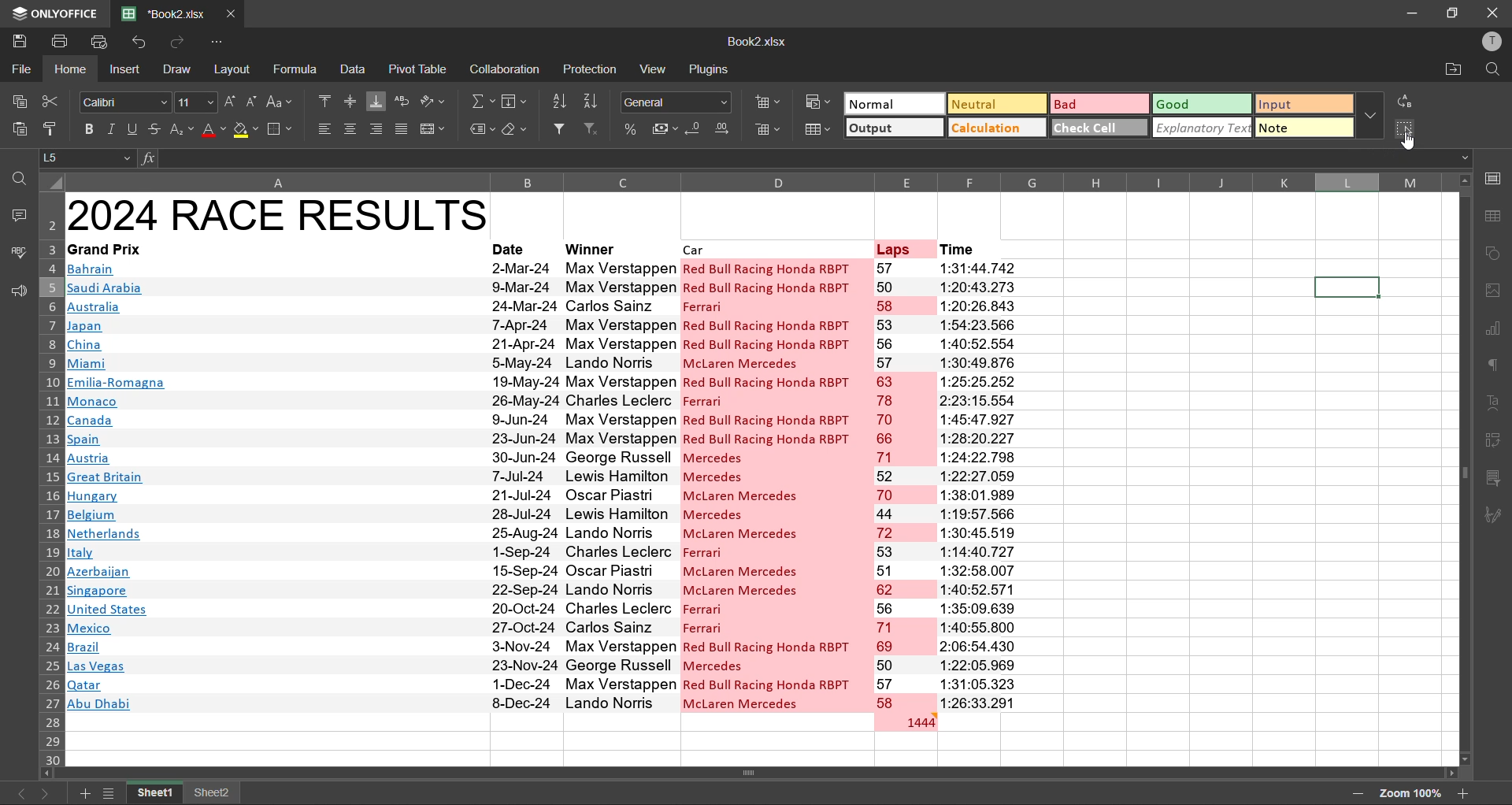  What do you see at coordinates (1492, 517) in the screenshot?
I see `signature` at bounding box center [1492, 517].